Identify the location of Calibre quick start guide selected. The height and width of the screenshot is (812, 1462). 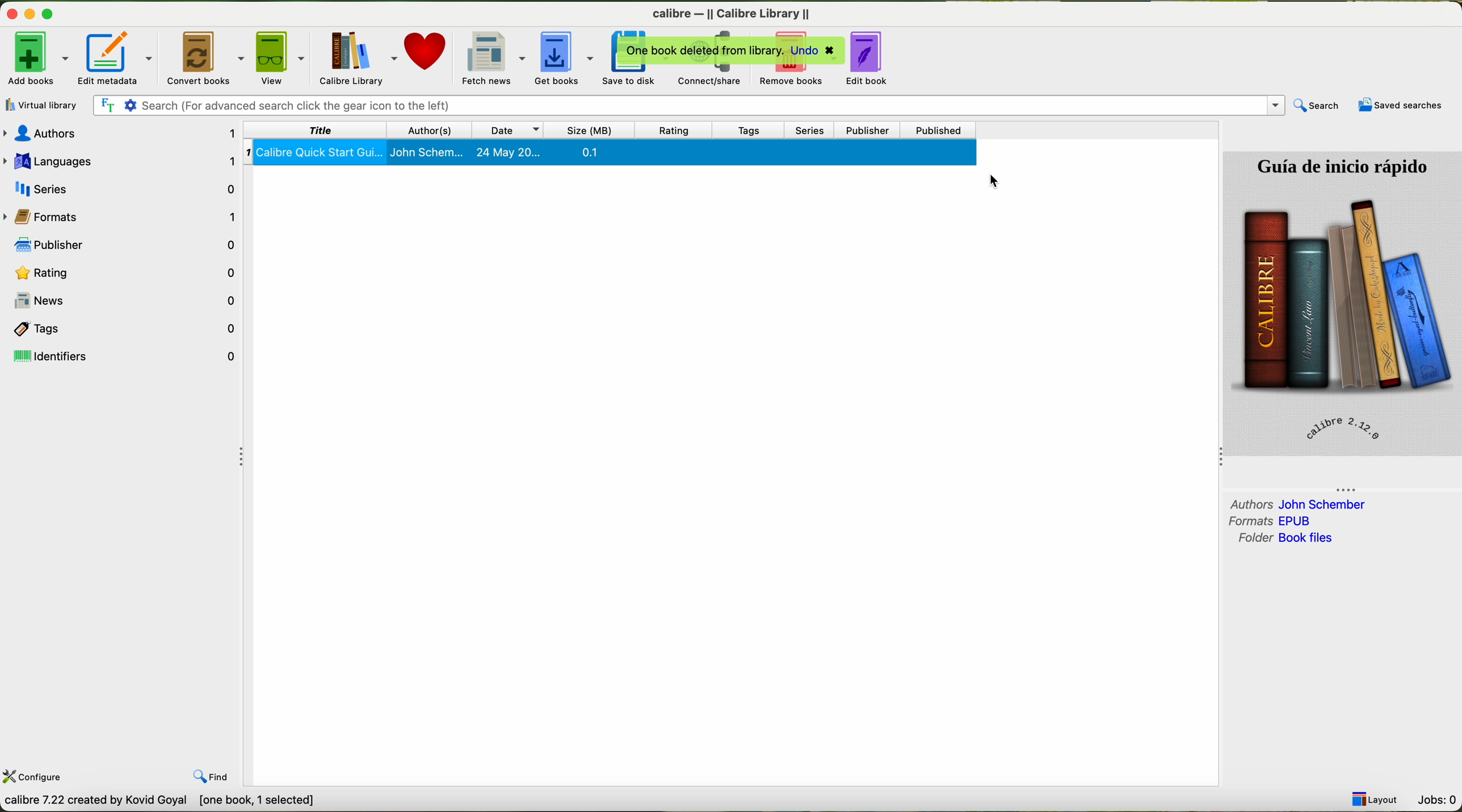
(611, 153).